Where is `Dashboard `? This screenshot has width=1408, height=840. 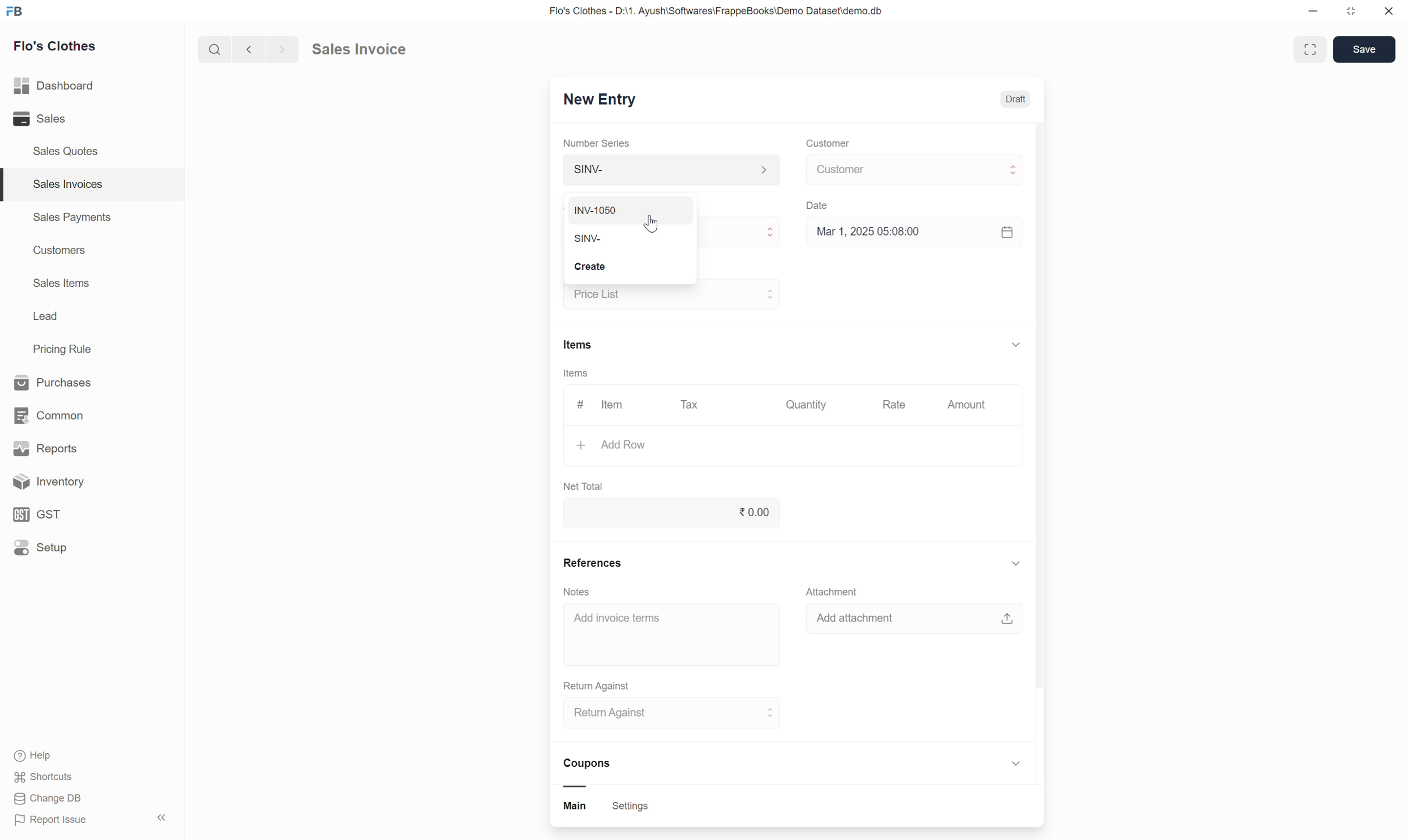 Dashboard  is located at coordinates (74, 86).